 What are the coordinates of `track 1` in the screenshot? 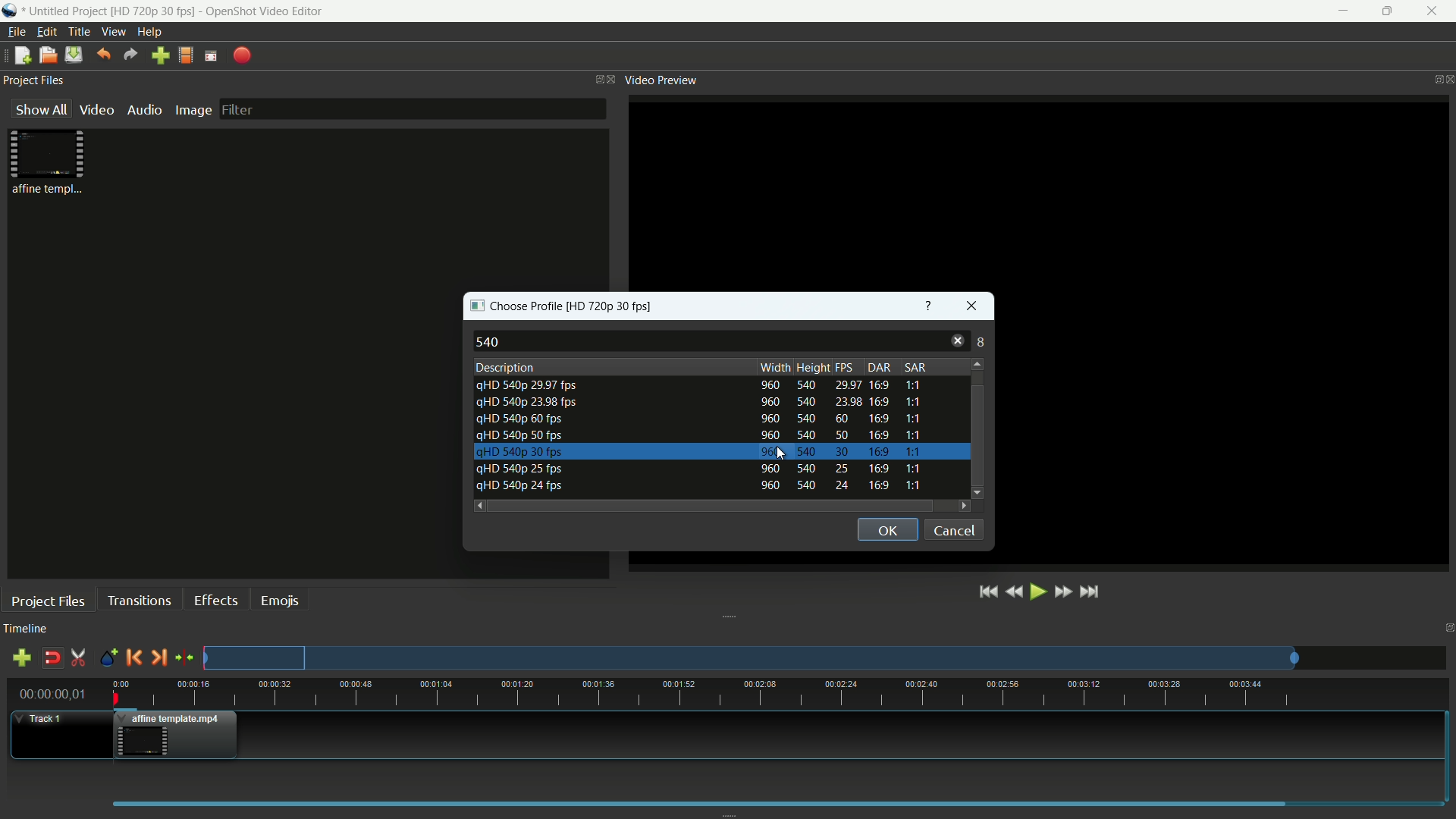 It's located at (42, 720).